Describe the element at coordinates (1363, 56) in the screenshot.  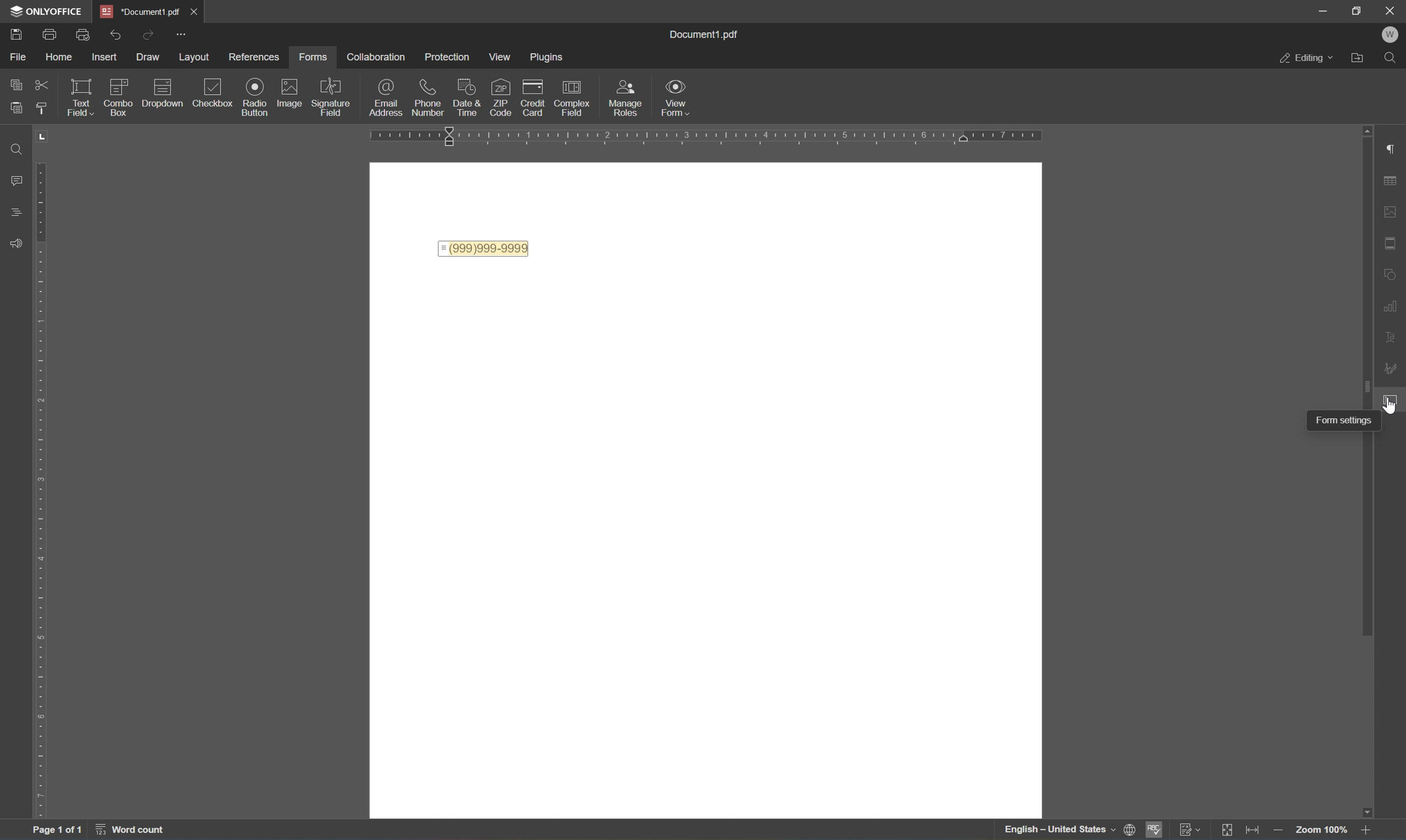
I see `open file location` at that location.